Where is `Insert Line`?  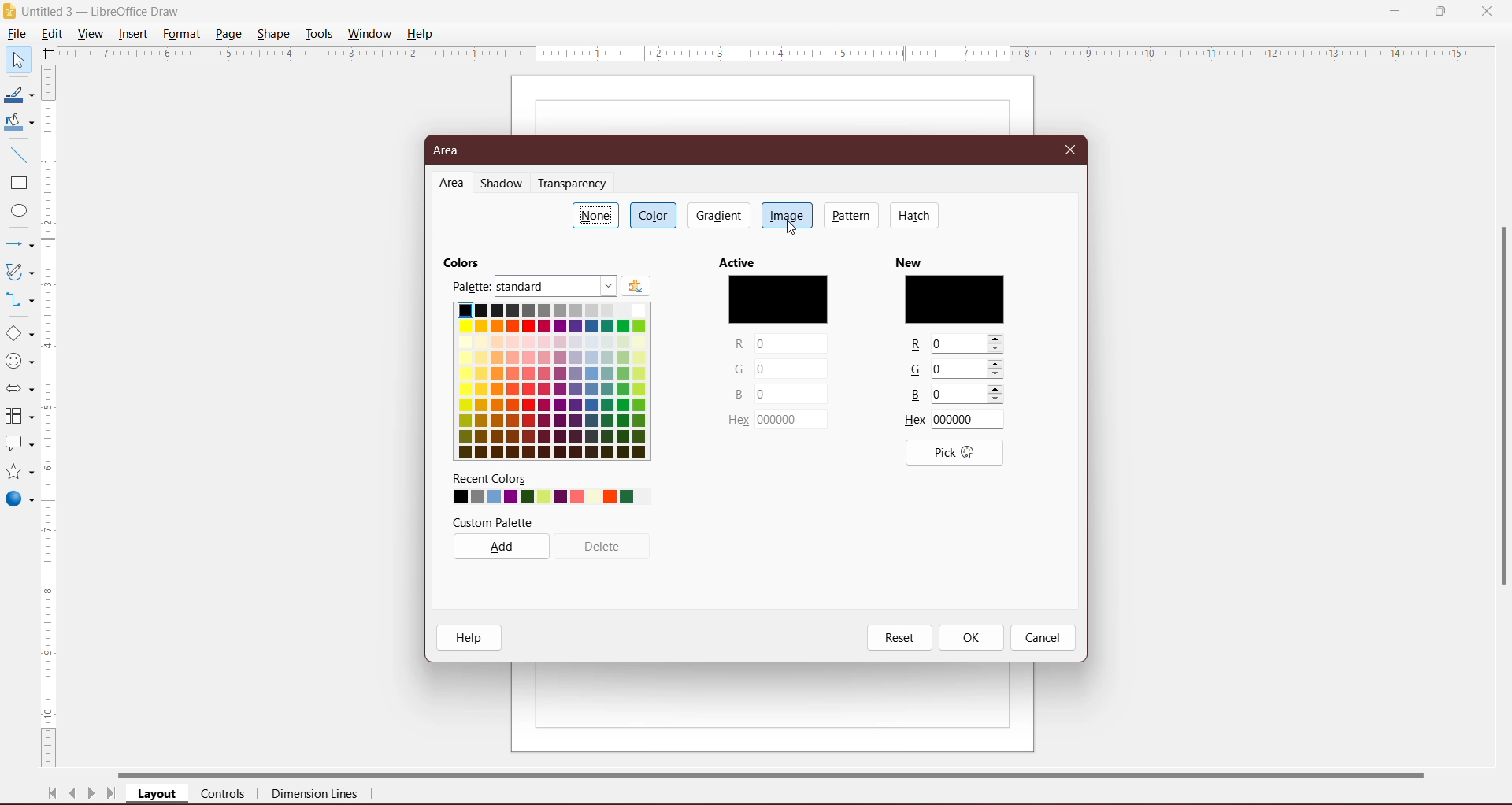
Insert Line is located at coordinates (17, 154).